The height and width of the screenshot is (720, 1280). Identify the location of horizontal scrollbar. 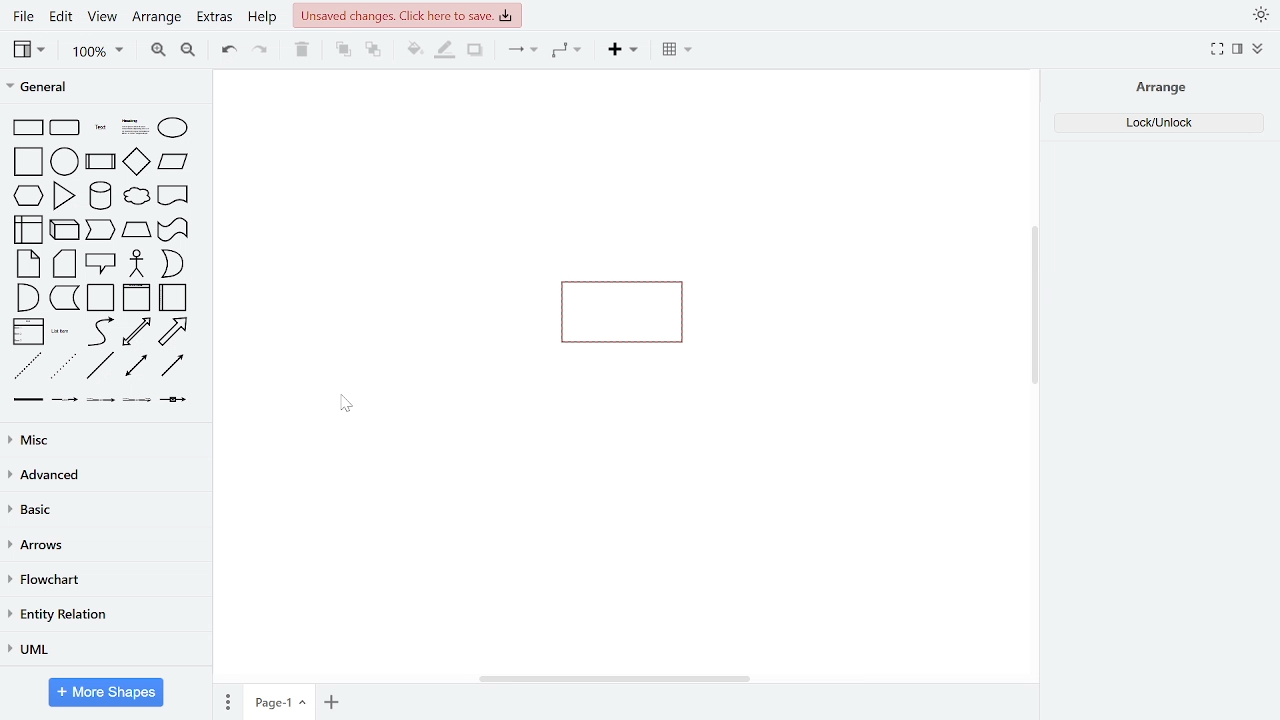
(615, 677).